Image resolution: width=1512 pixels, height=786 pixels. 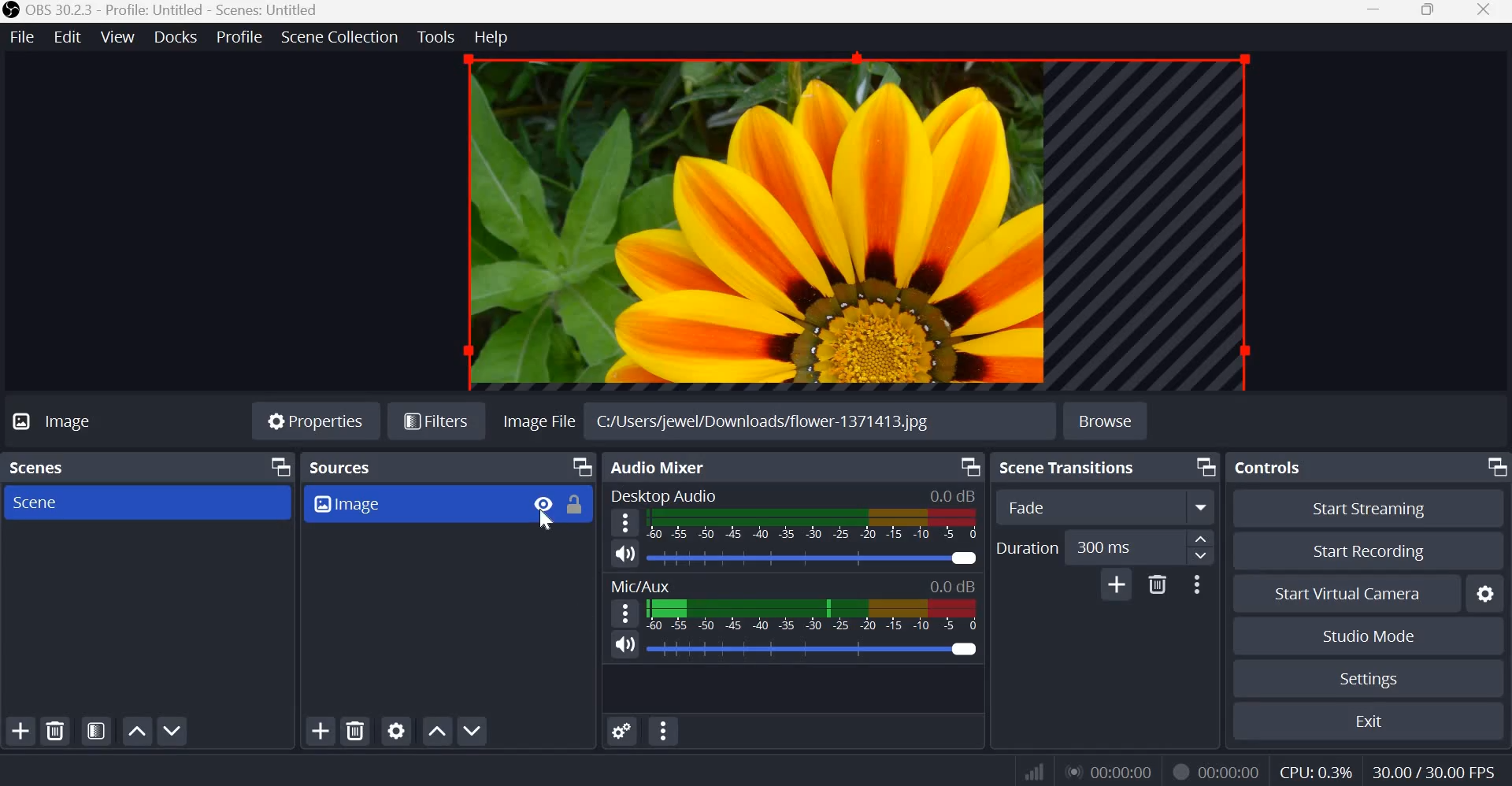 I want to click on Scene Collection, so click(x=338, y=35).